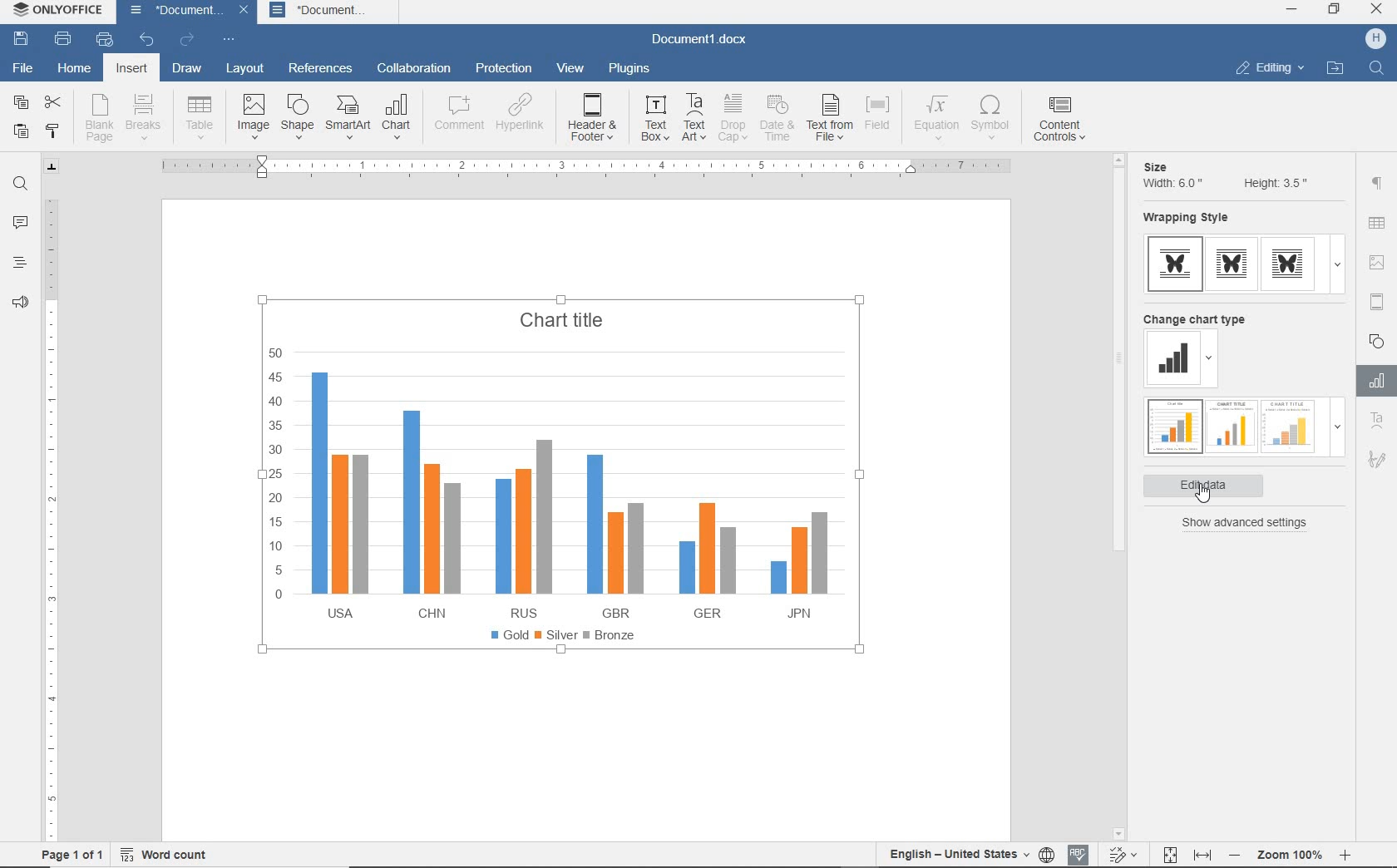  What do you see at coordinates (705, 38) in the screenshot?
I see `document name` at bounding box center [705, 38].